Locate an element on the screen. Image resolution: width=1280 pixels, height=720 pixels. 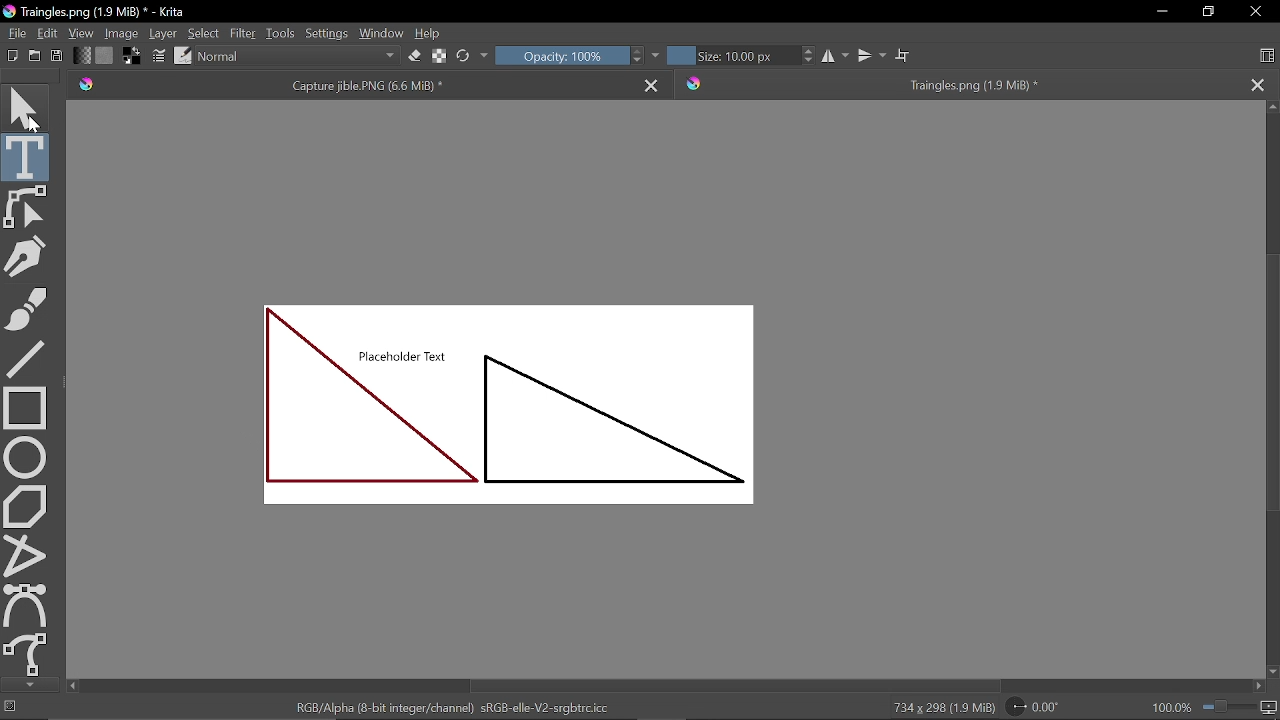
Line tool is located at coordinates (28, 358).